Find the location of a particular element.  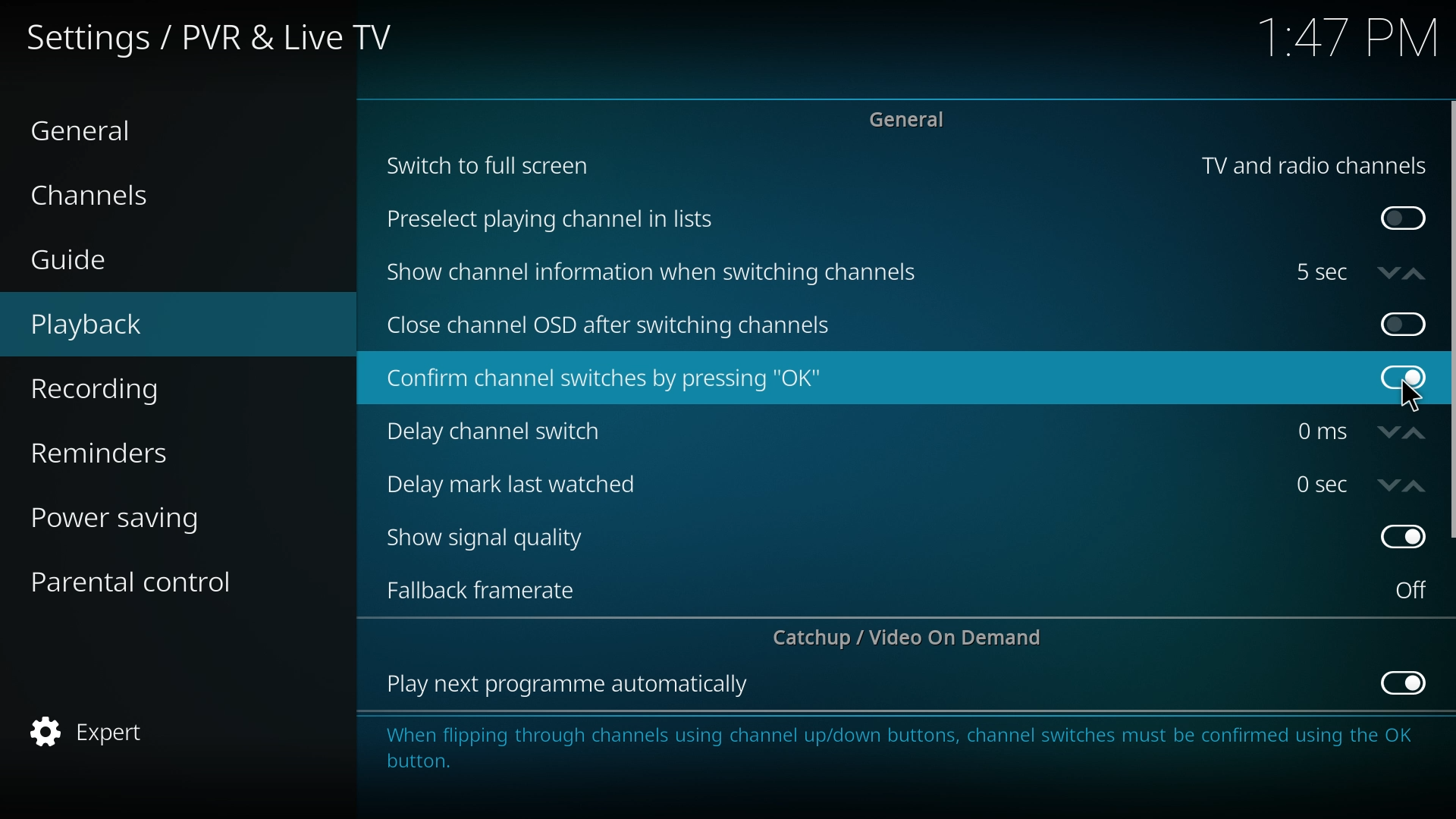

increase time is located at coordinates (1415, 487).